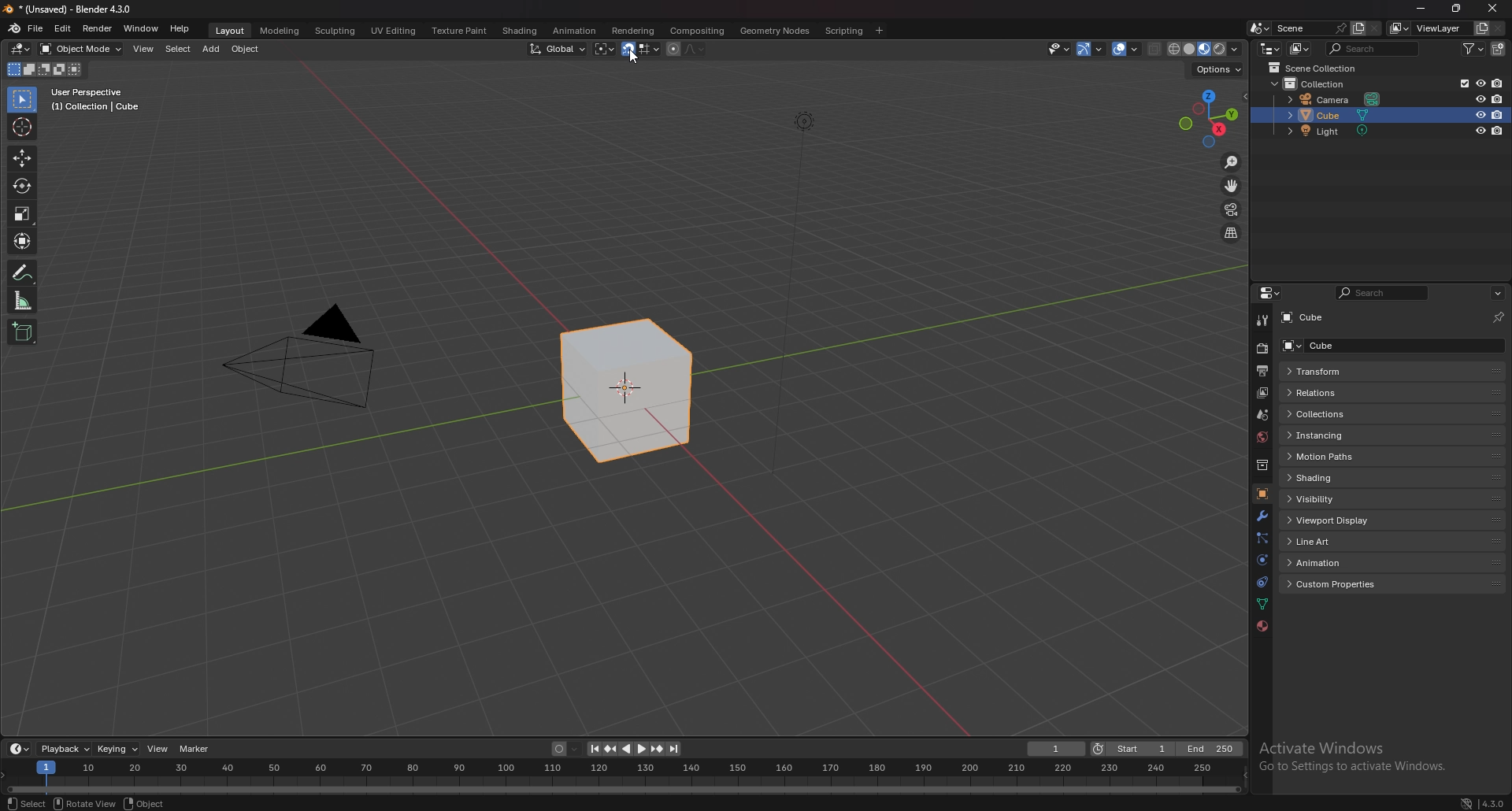  Describe the element at coordinates (1232, 163) in the screenshot. I see `zoom` at that location.